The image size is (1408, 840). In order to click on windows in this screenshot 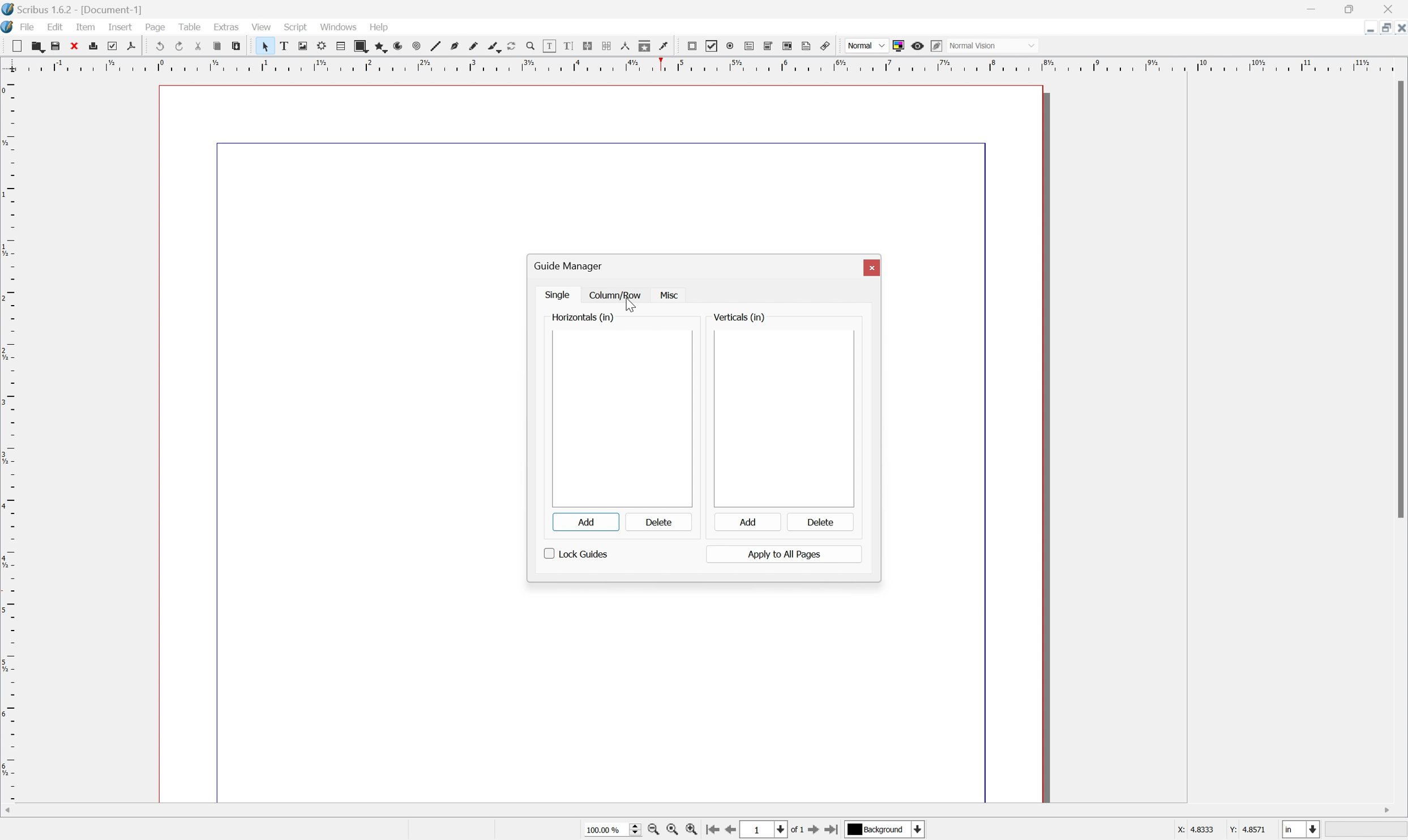, I will do `click(338, 28)`.